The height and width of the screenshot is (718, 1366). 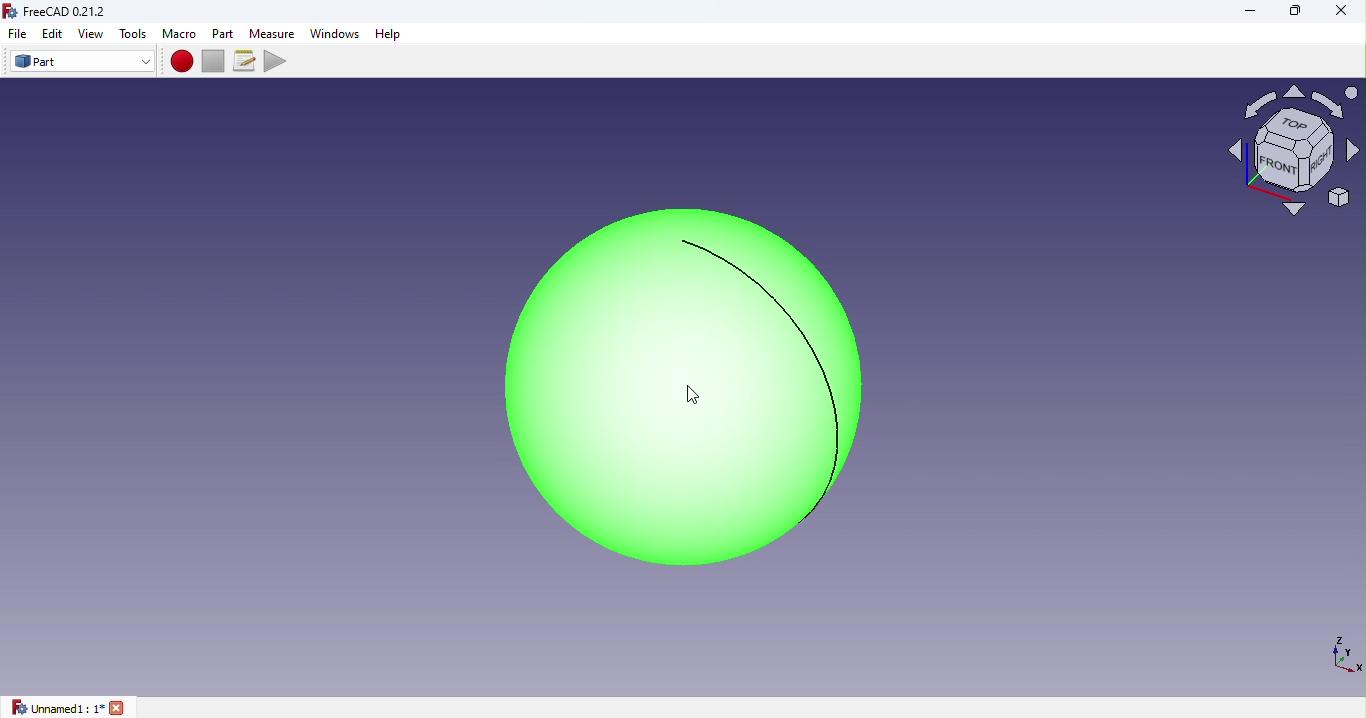 What do you see at coordinates (225, 33) in the screenshot?
I see `Part` at bounding box center [225, 33].